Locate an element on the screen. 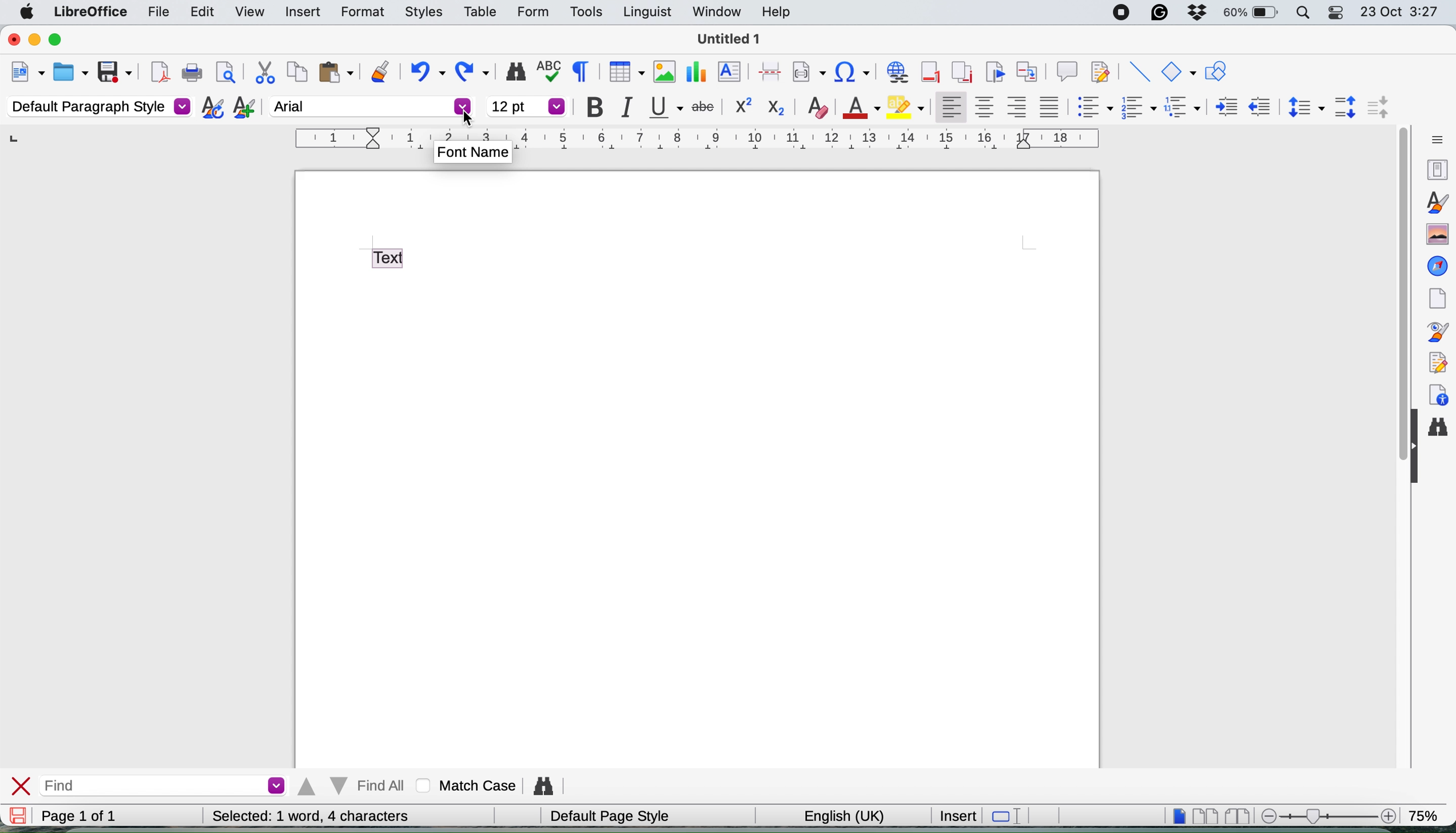  font size is located at coordinates (526, 106).